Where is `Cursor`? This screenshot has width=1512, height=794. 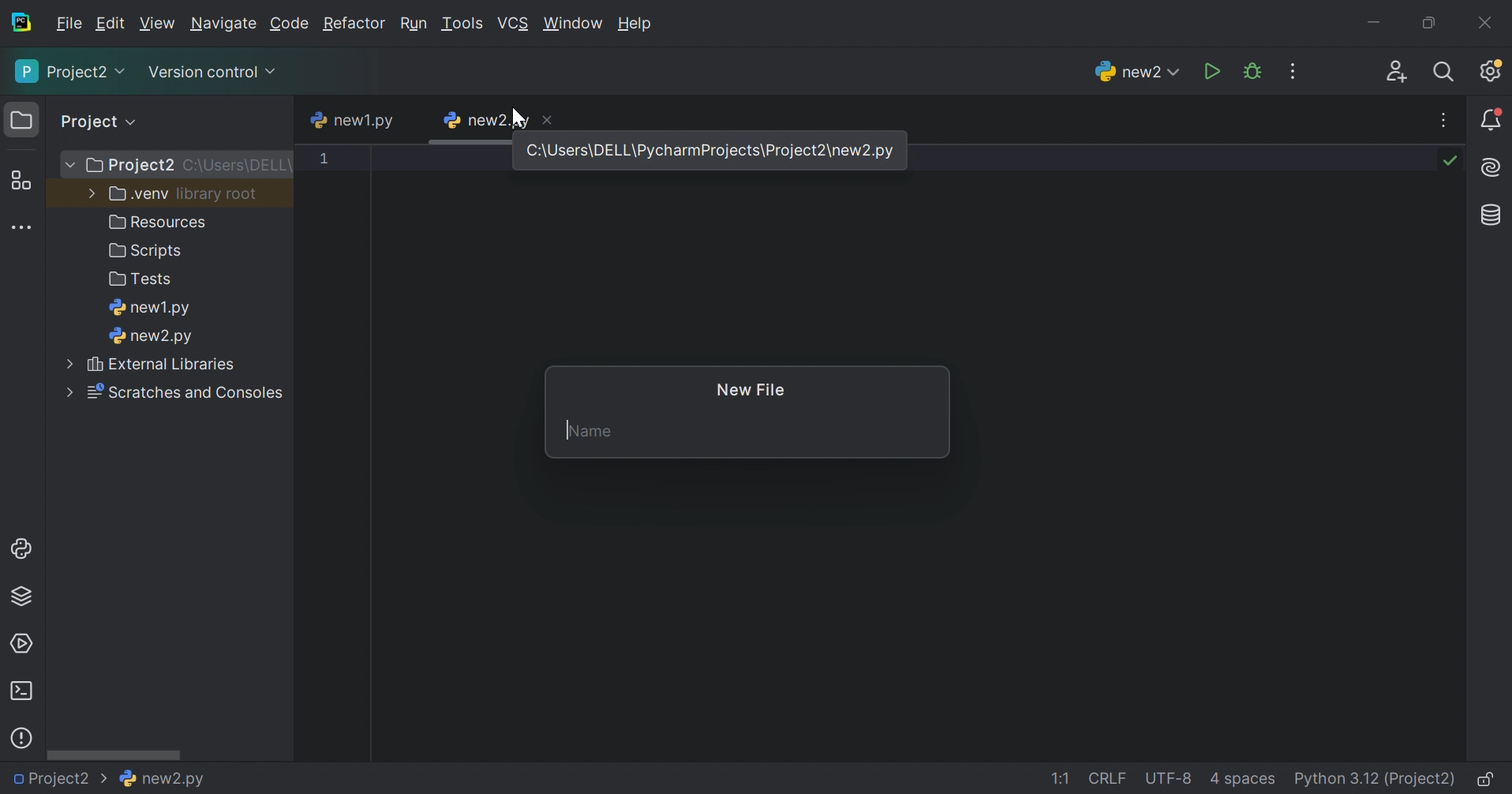
Cursor is located at coordinates (521, 118).